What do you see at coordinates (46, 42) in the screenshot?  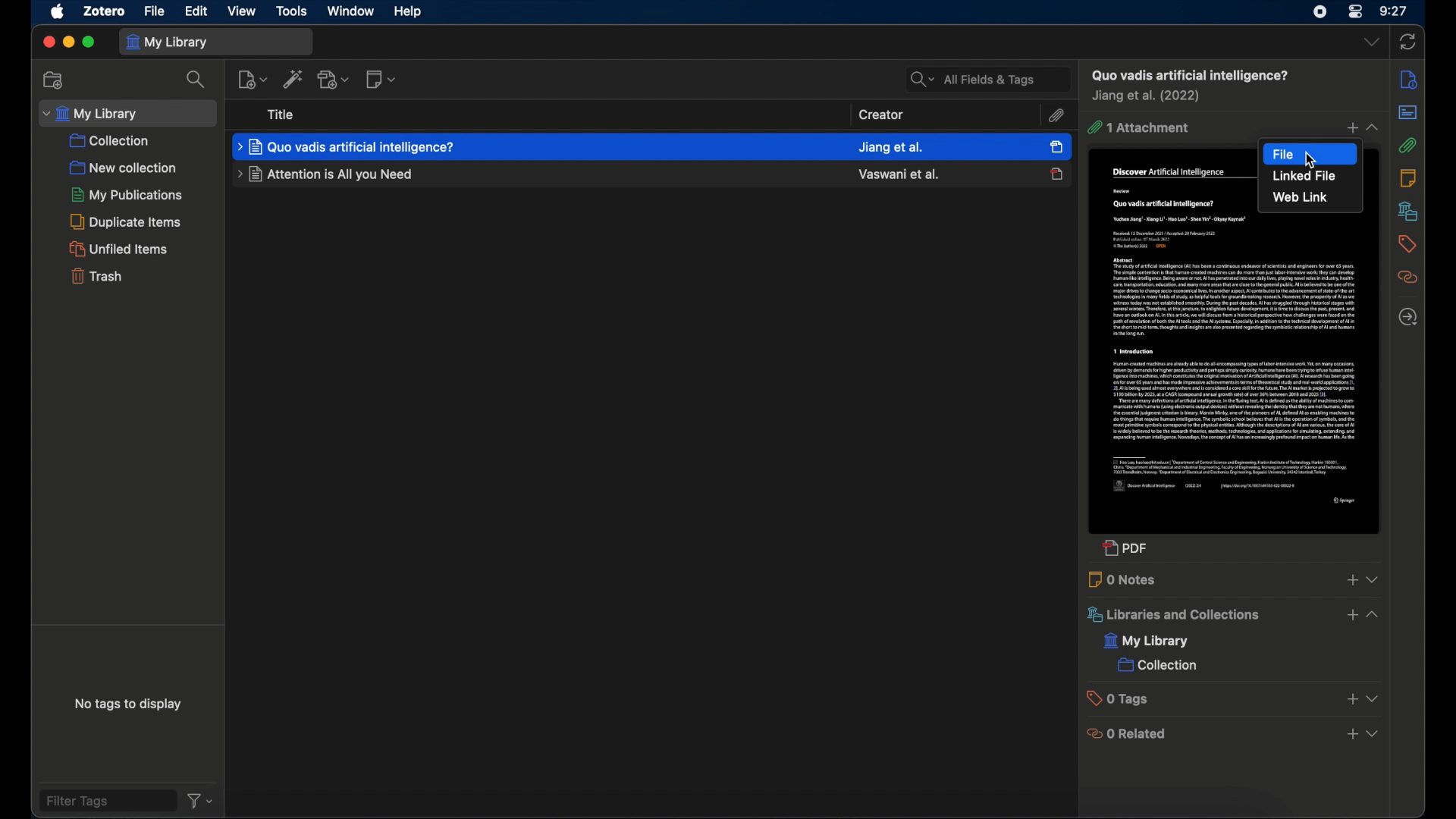 I see `close` at bounding box center [46, 42].